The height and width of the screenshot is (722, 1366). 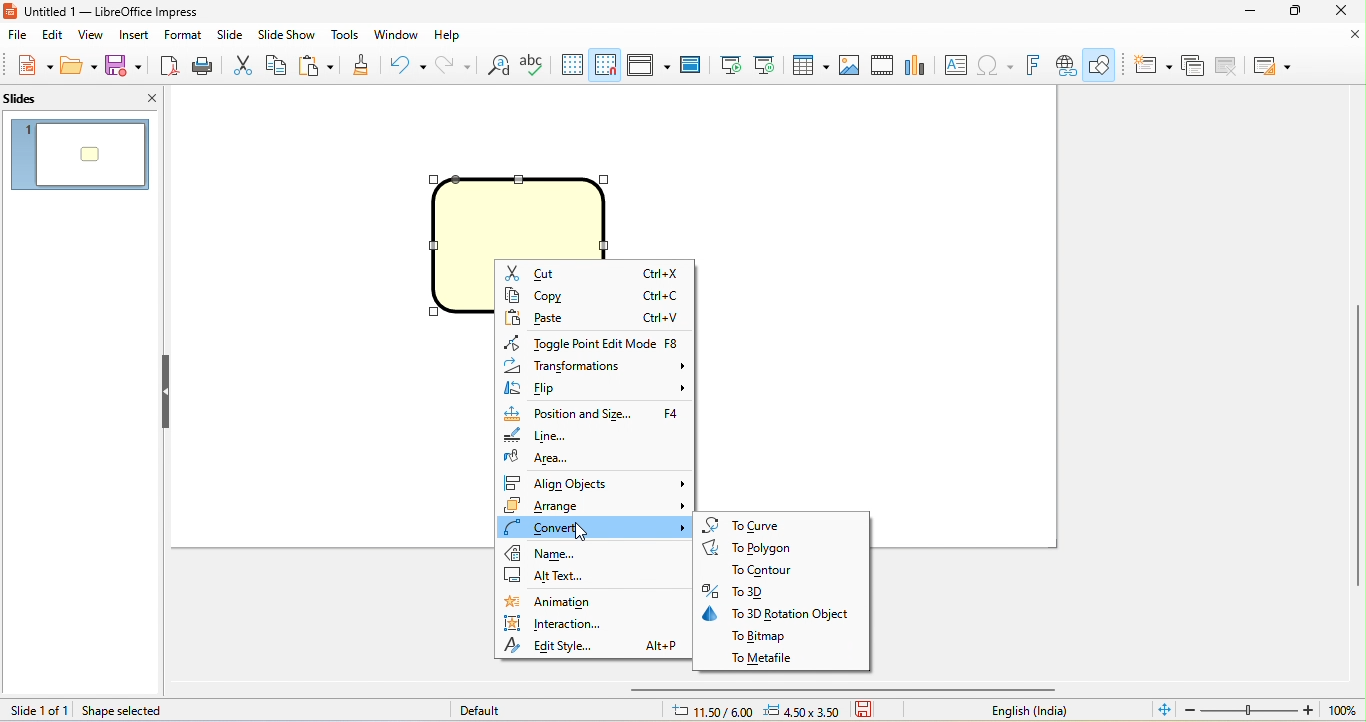 What do you see at coordinates (650, 64) in the screenshot?
I see `display view` at bounding box center [650, 64].